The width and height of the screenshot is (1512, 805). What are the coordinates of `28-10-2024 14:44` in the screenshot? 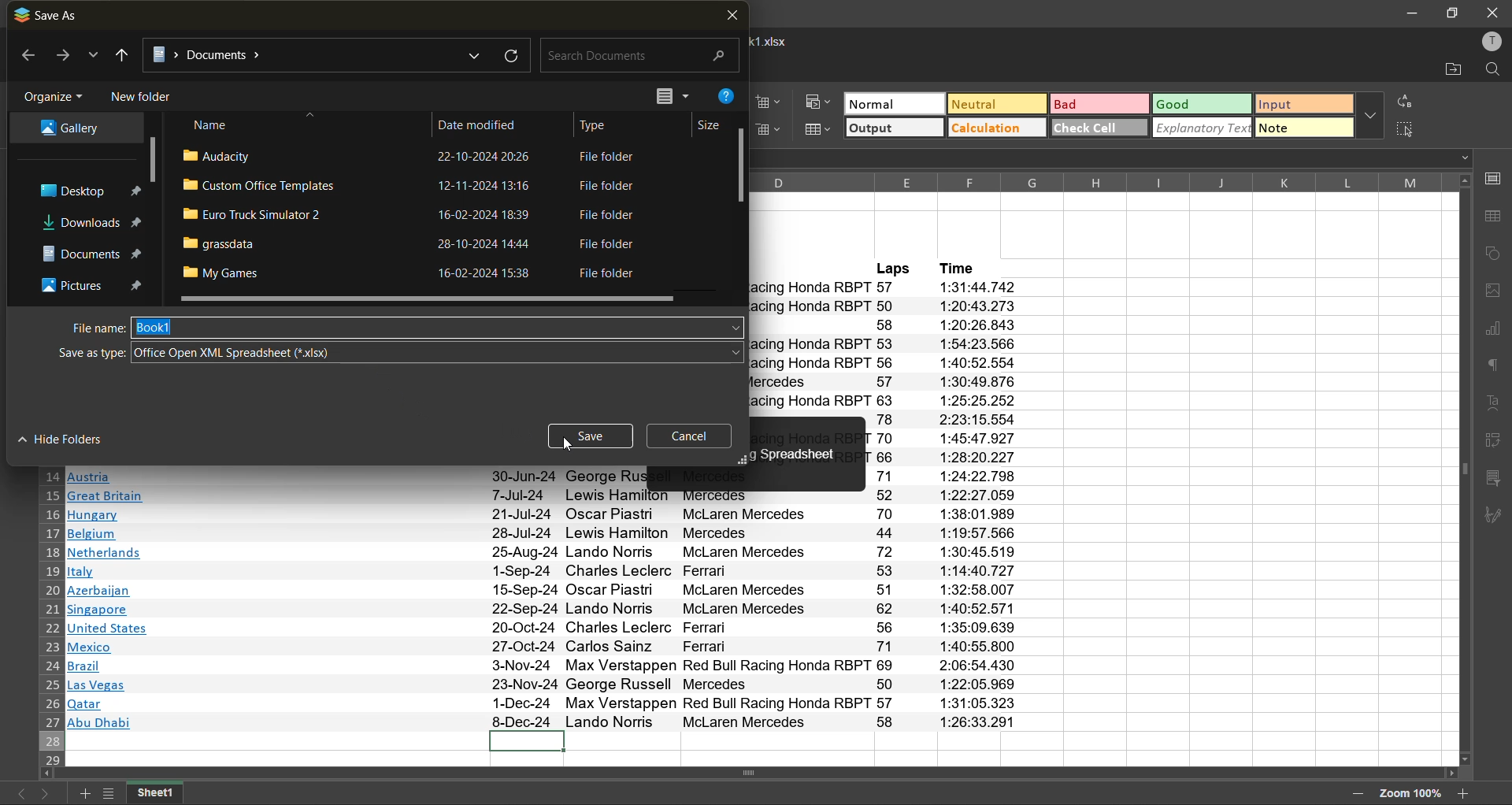 It's located at (478, 243).